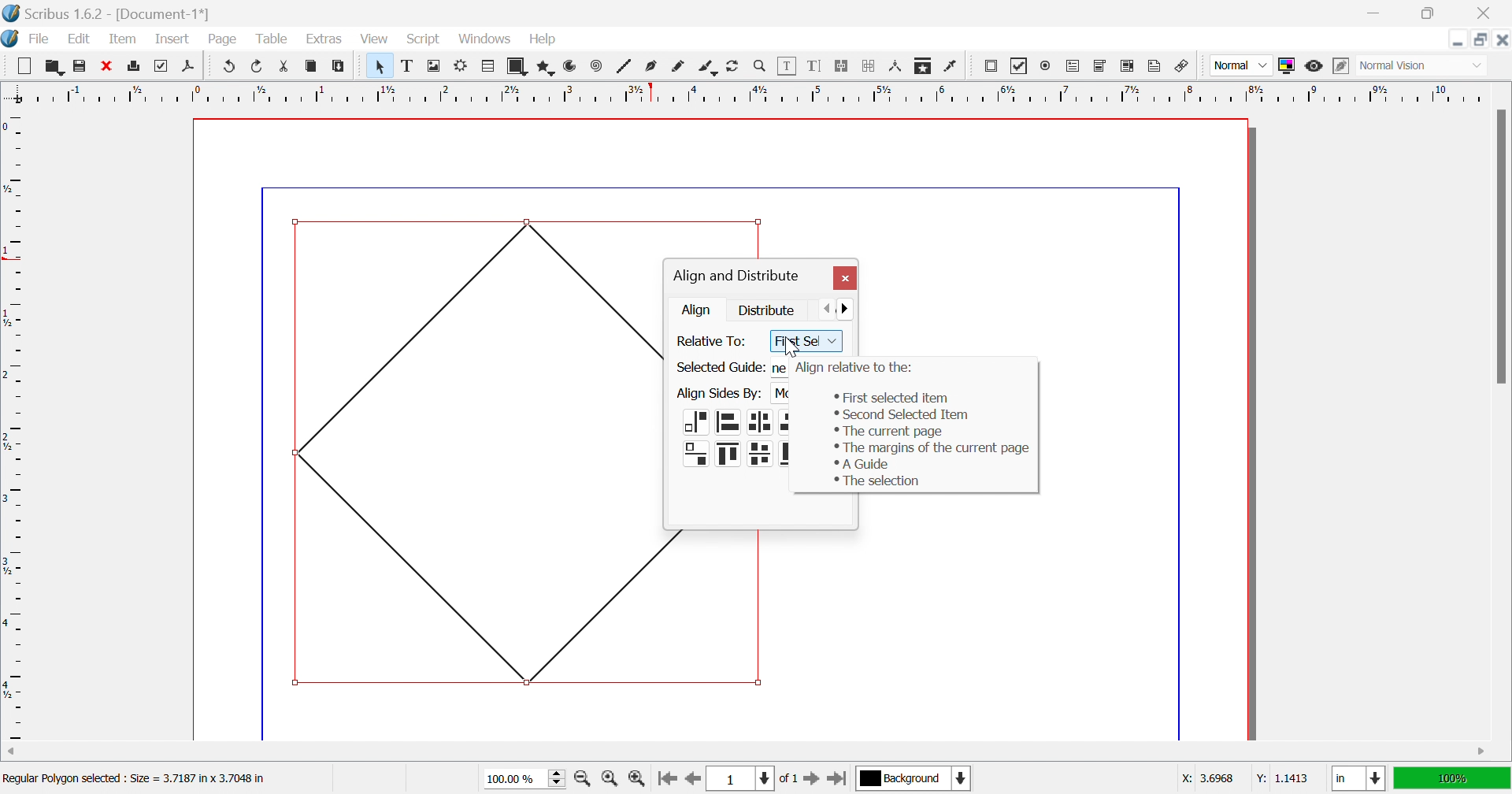 The image size is (1512, 794). Describe the element at coordinates (813, 65) in the screenshot. I see `Edit text with story editor` at that location.